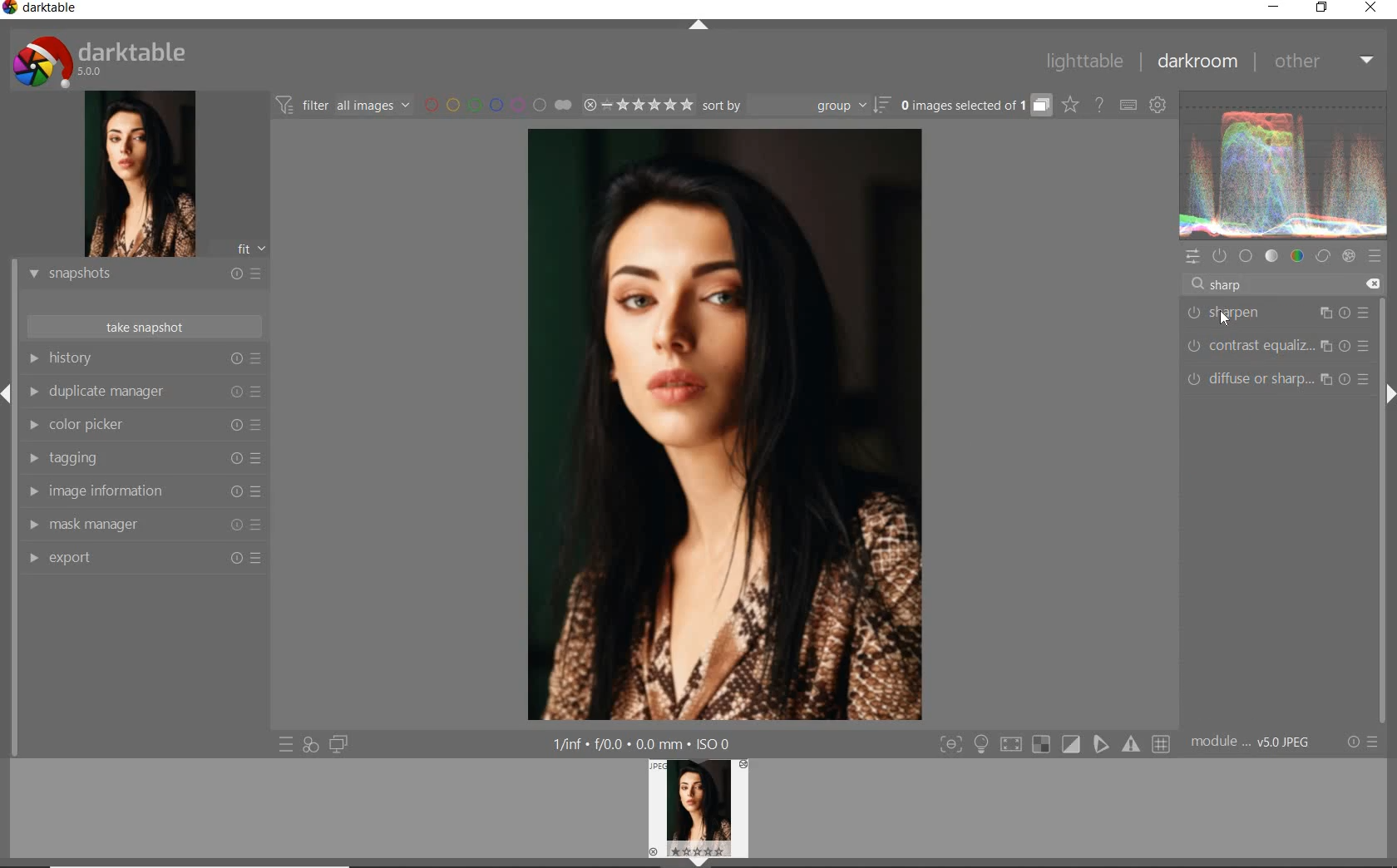 The image size is (1397, 868). Describe the element at coordinates (1195, 259) in the screenshot. I see `quick access panel` at that location.